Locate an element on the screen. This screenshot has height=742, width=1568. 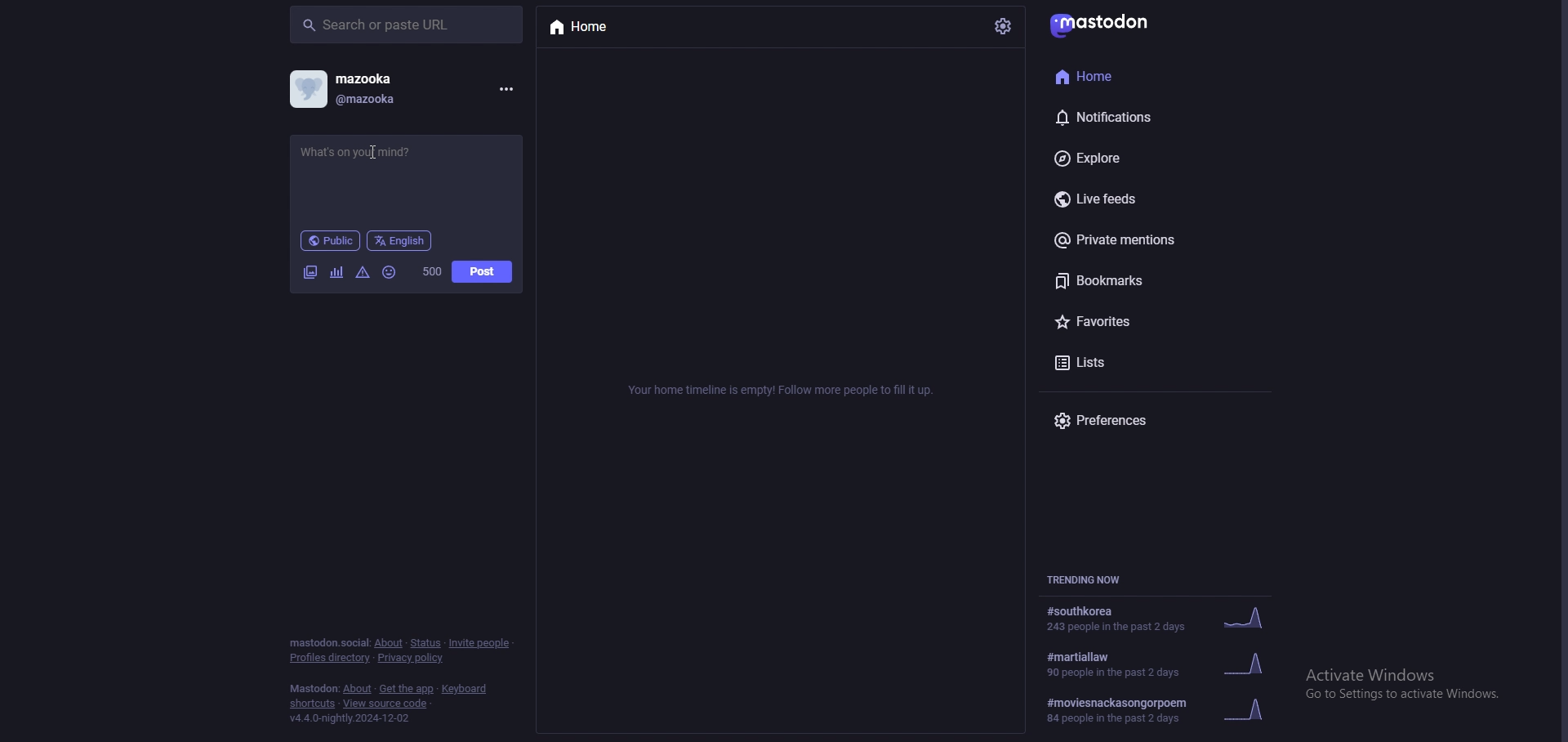
public is located at coordinates (330, 240).